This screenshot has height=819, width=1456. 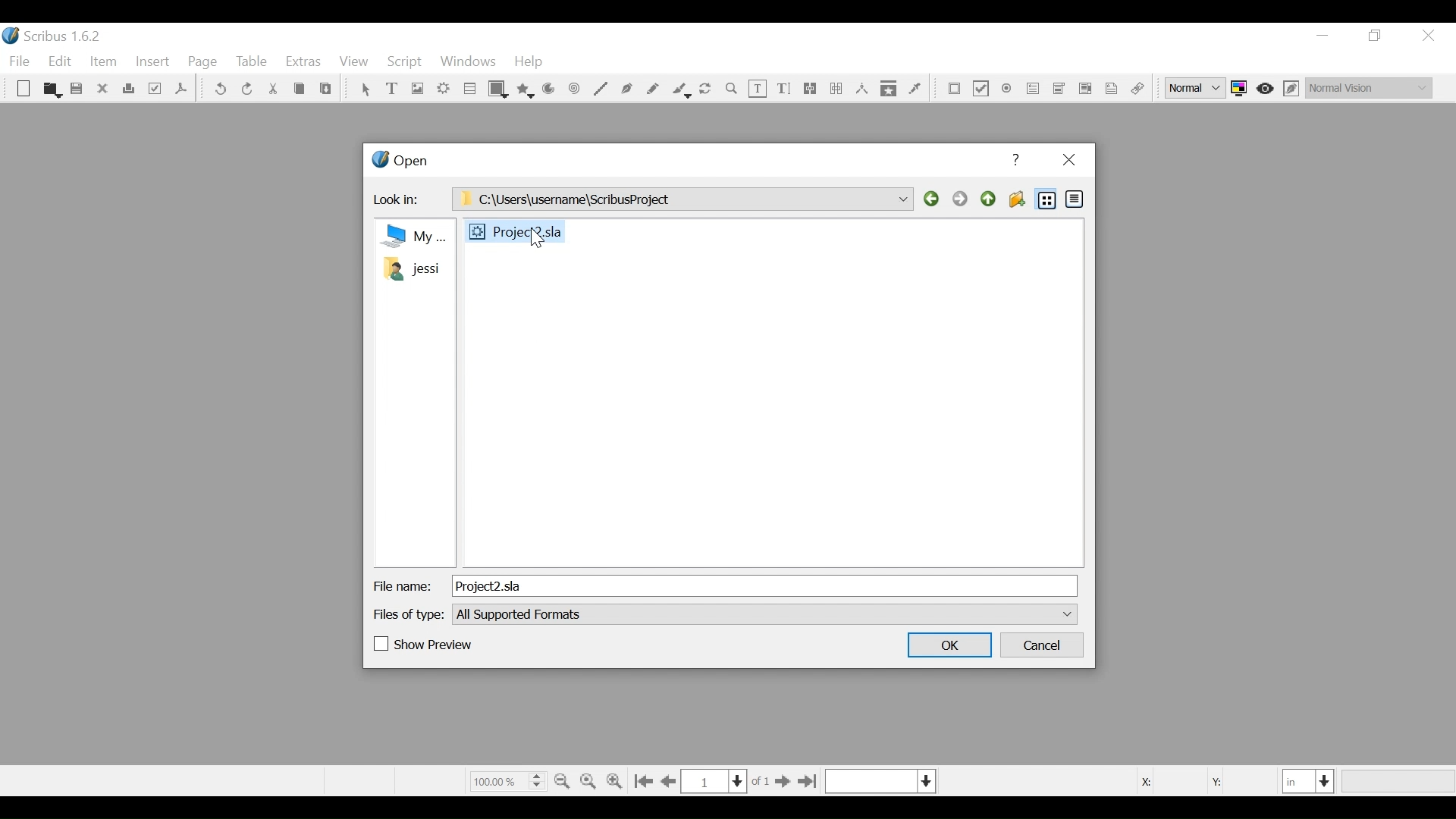 What do you see at coordinates (889, 88) in the screenshot?
I see `Copy Item properties` at bounding box center [889, 88].